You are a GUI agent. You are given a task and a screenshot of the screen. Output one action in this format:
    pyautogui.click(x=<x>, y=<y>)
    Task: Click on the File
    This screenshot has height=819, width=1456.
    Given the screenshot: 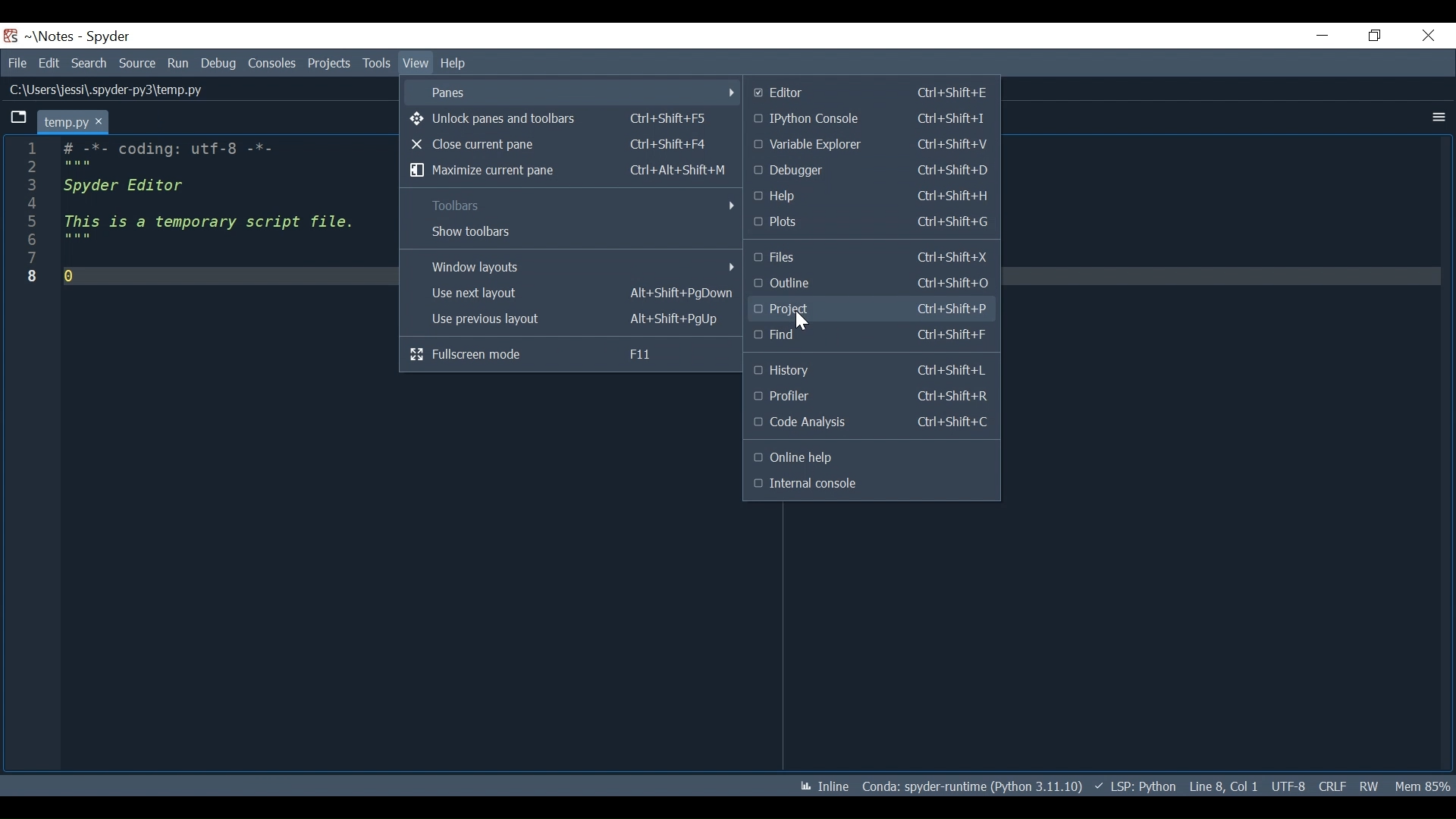 What is the action you would take?
    pyautogui.click(x=14, y=63)
    